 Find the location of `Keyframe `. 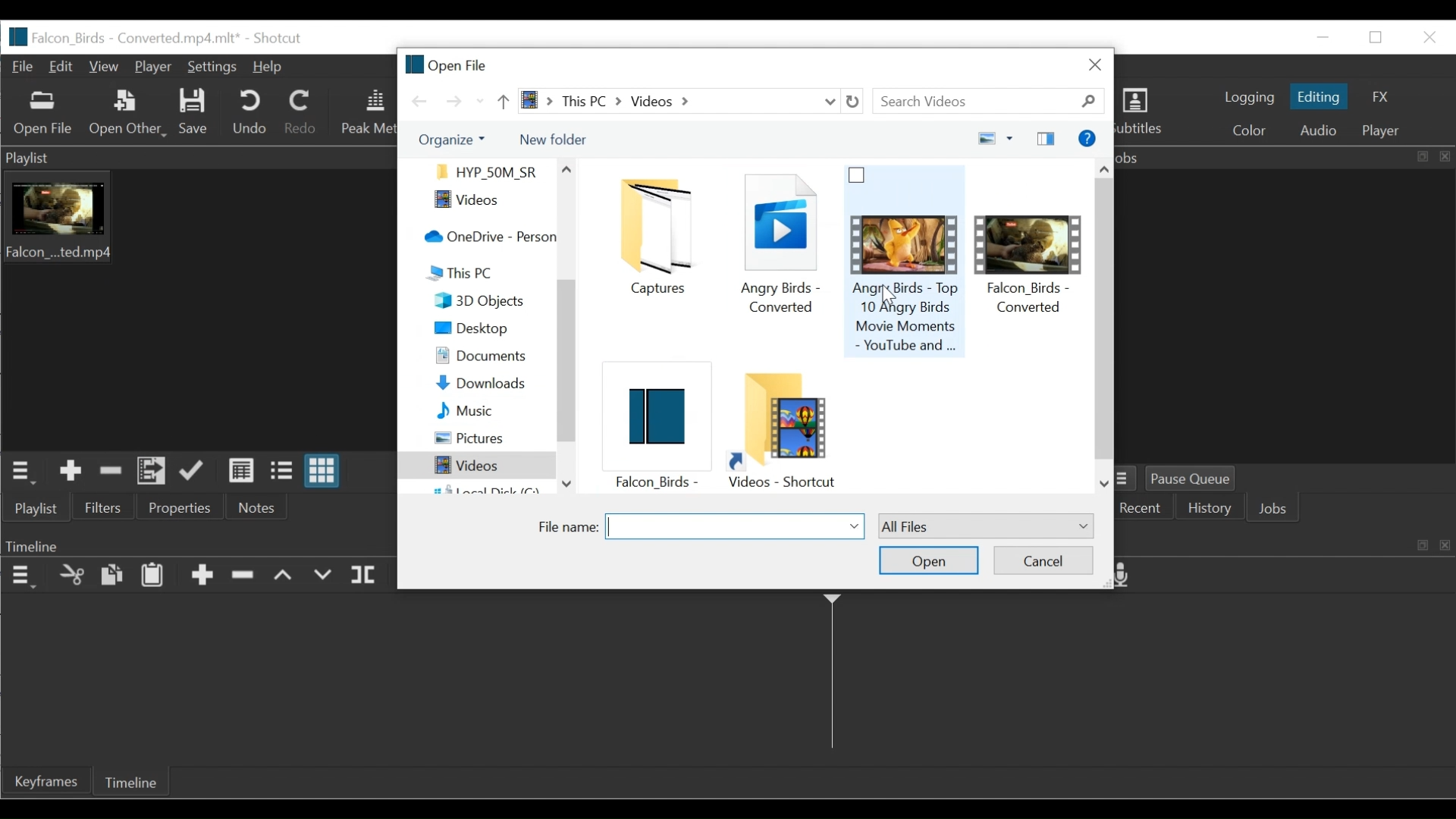

Keyframe  is located at coordinates (45, 780).